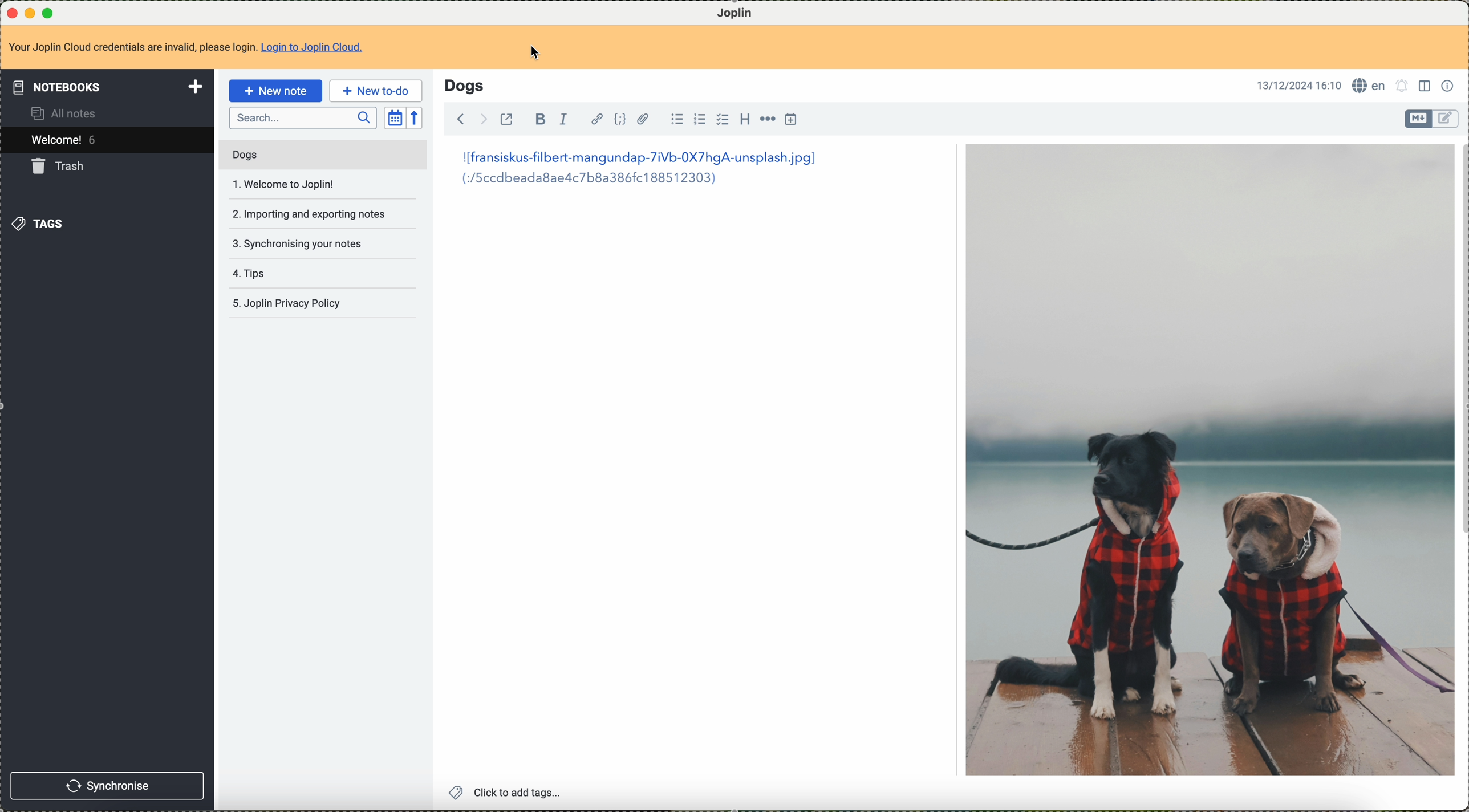 Image resolution: width=1469 pixels, height=812 pixels. I want to click on search bar, so click(302, 116).